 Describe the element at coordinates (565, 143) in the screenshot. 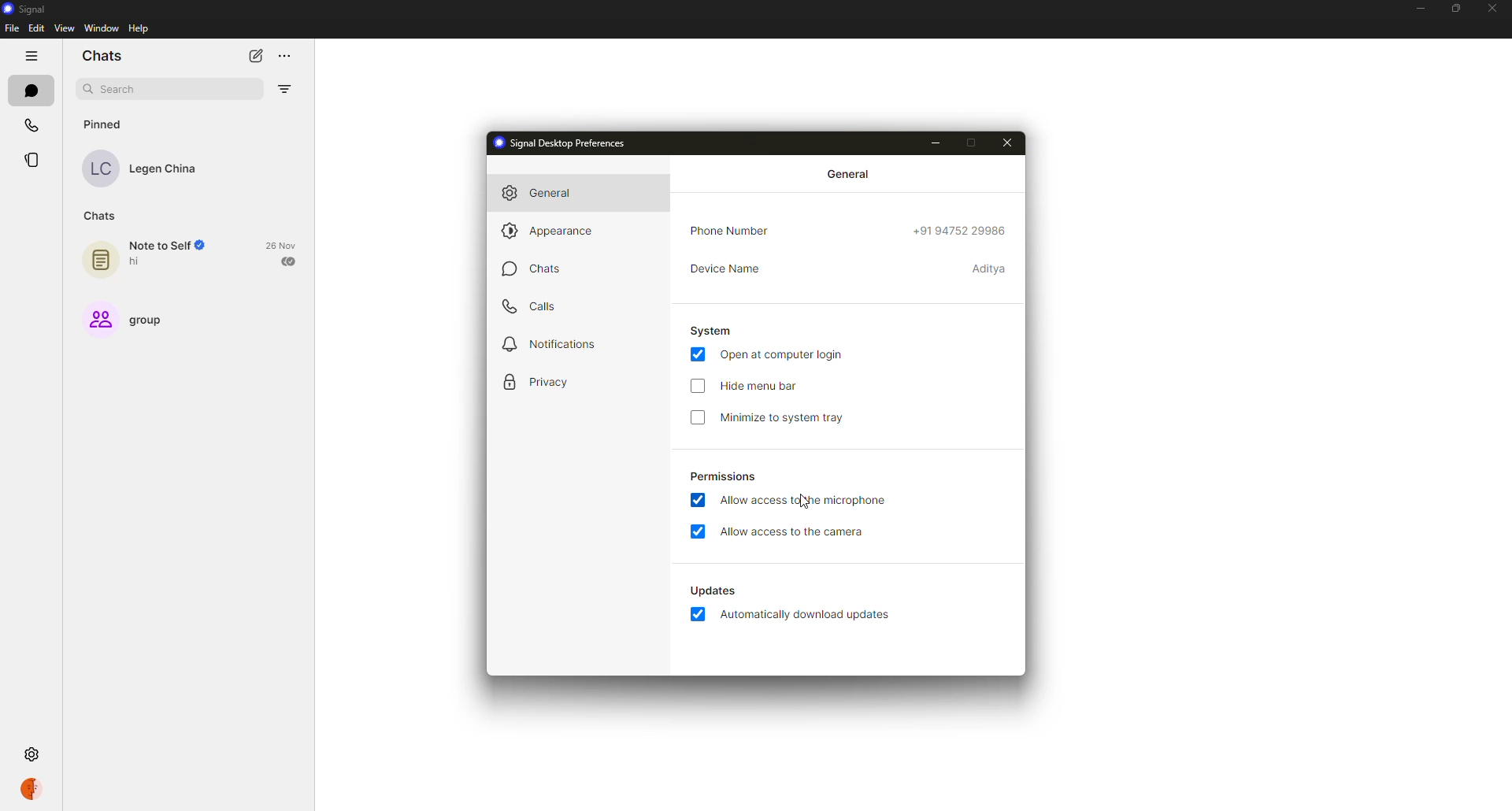

I see `signal desktop preferences` at that location.